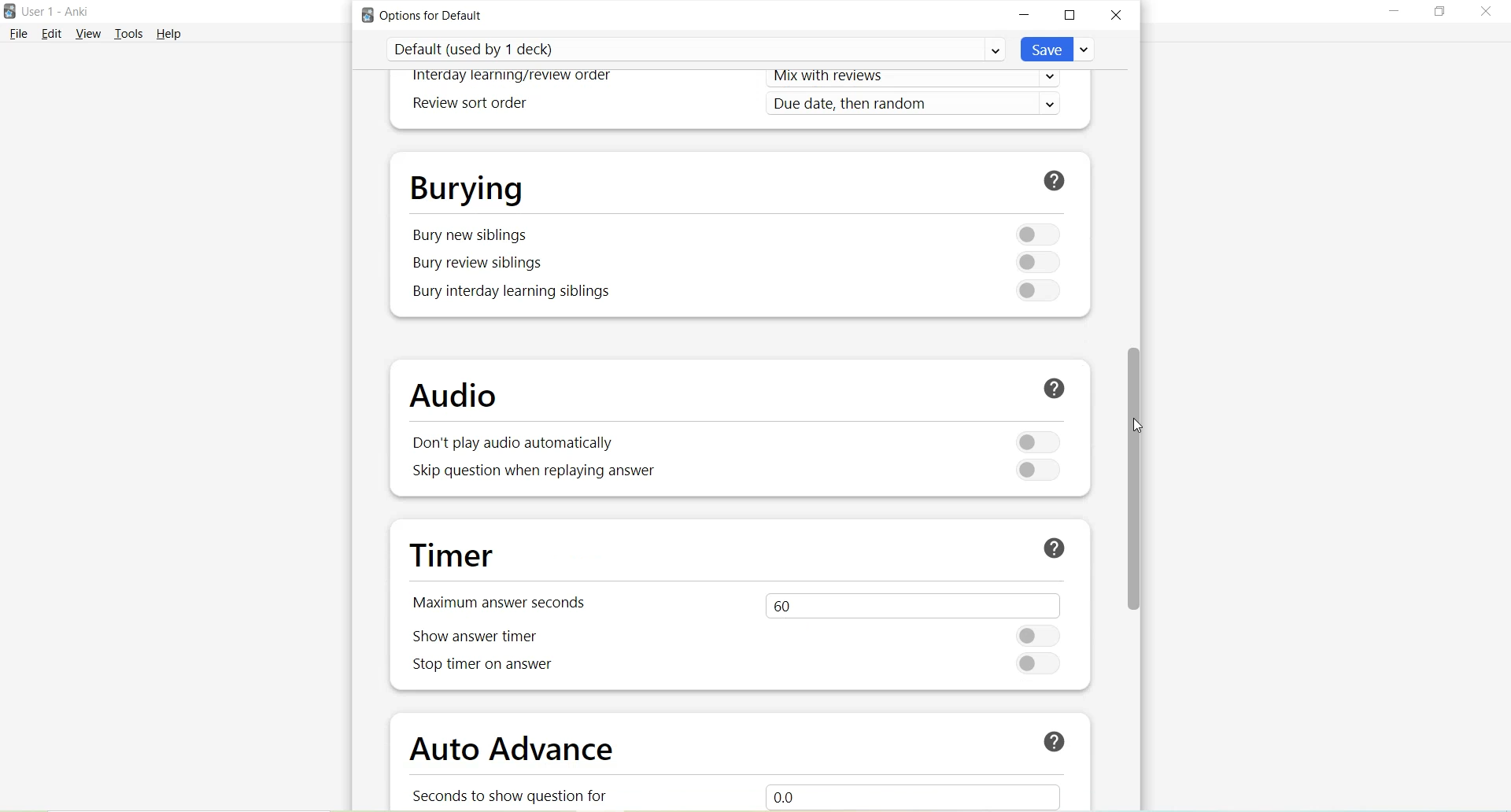 This screenshot has width=1511, height=812. Describe the element at coordinates (1040, 664) in the screenshot. I see `Toggle` at that location.